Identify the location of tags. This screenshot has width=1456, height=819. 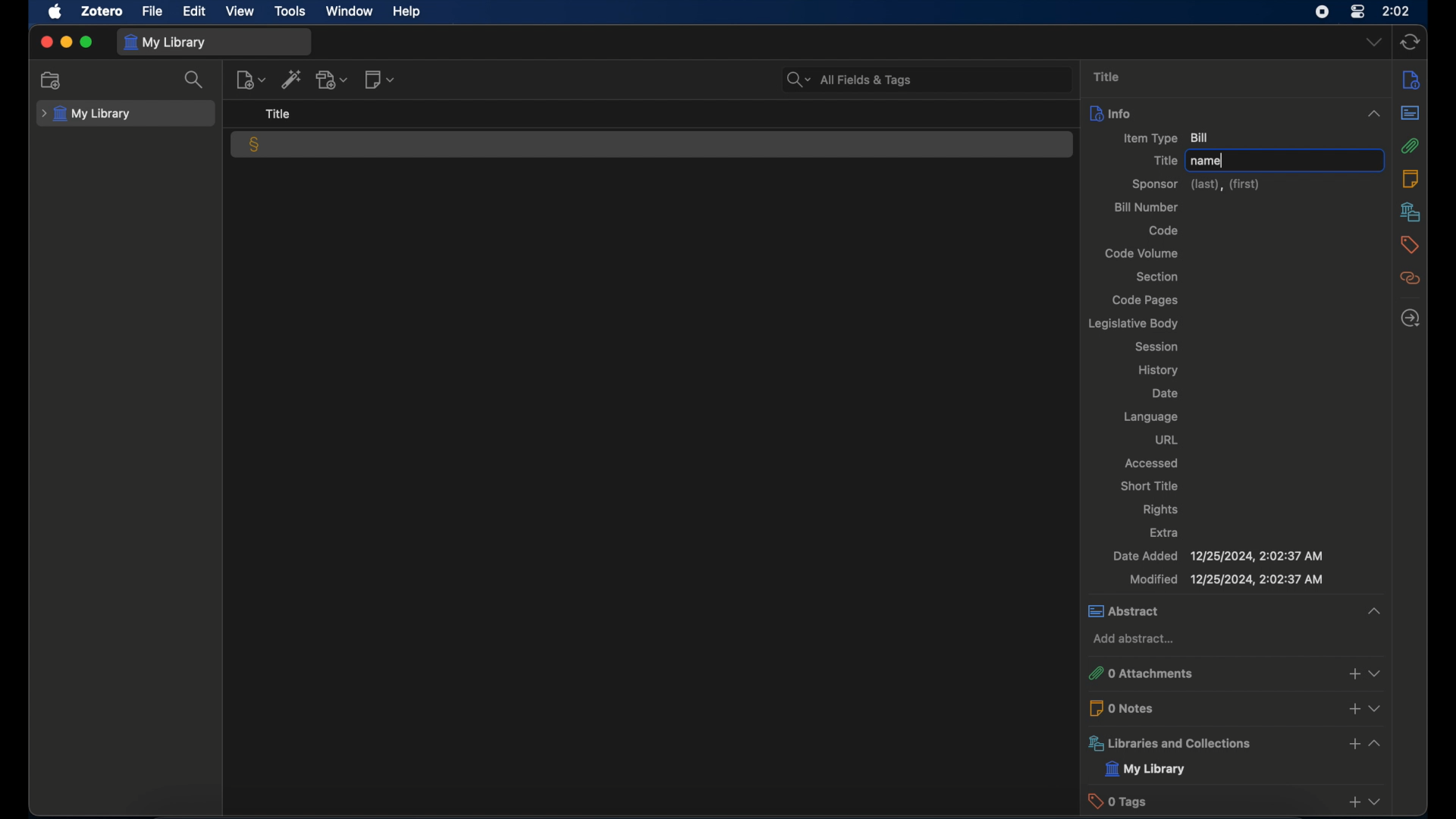
(1409, 245).